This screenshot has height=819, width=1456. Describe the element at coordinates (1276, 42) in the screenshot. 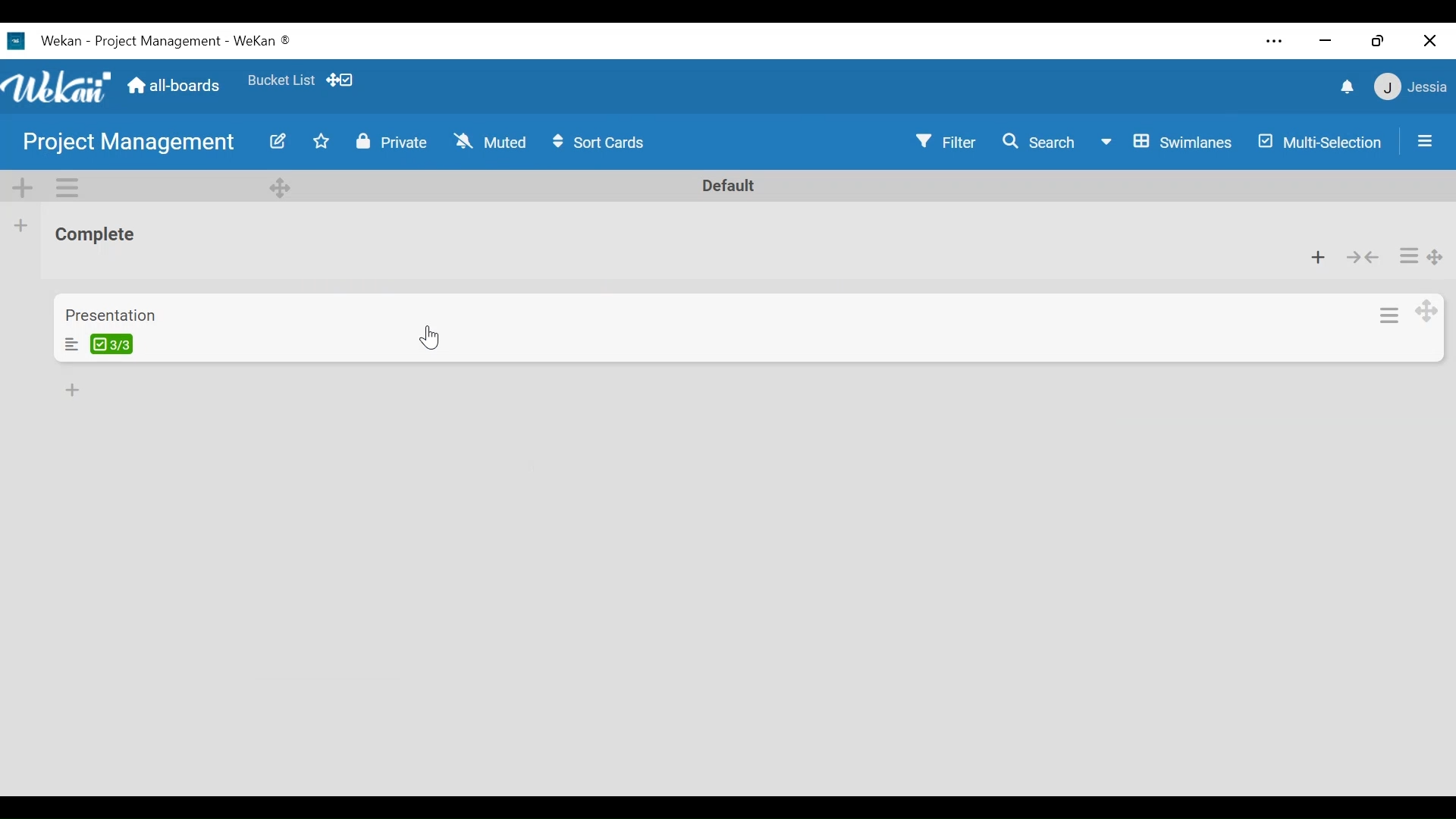

I see `Settings and more` at that location.